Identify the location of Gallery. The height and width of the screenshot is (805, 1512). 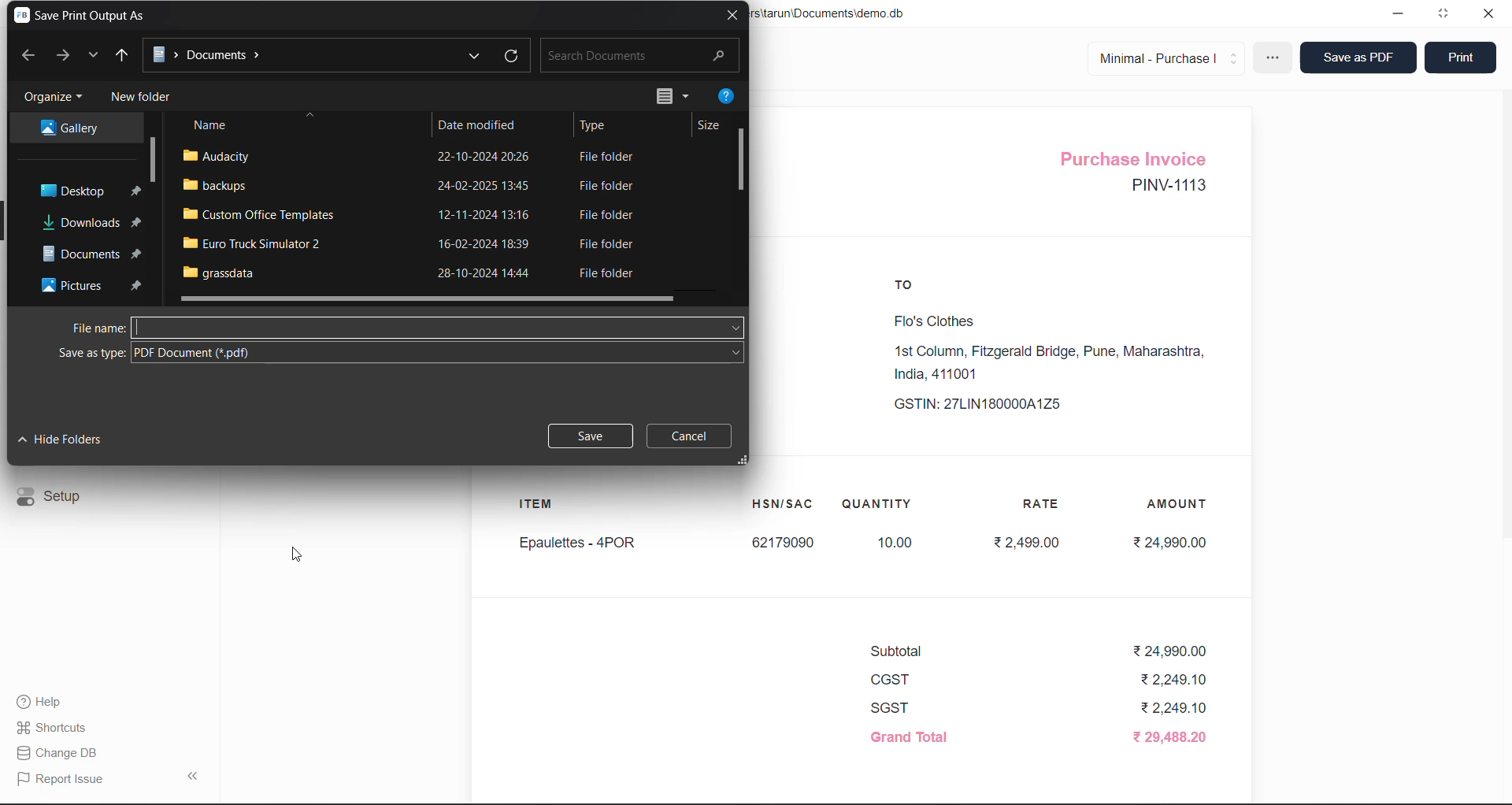
(78, 129).